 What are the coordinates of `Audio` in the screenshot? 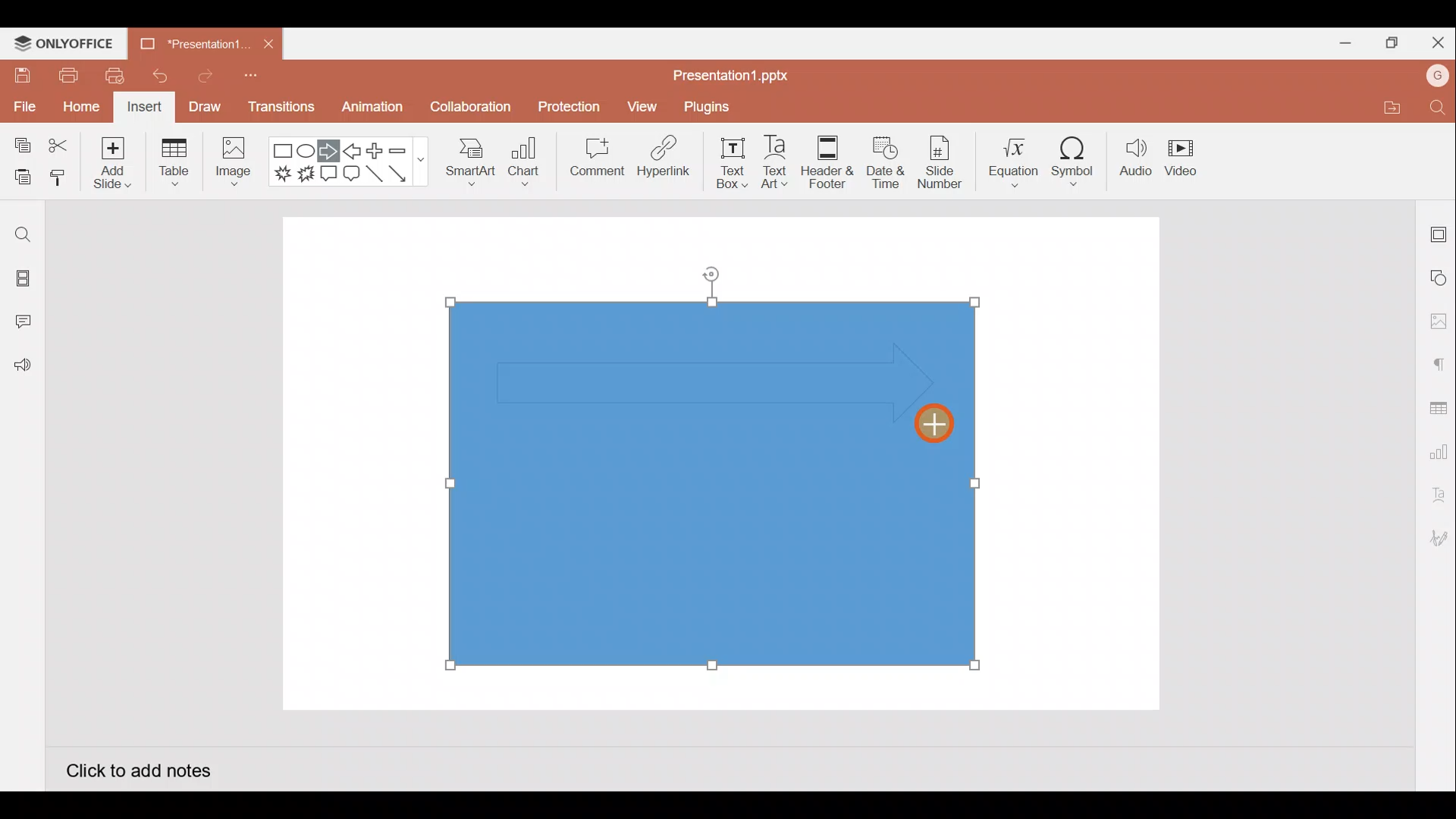 It's located at (1136, 158).